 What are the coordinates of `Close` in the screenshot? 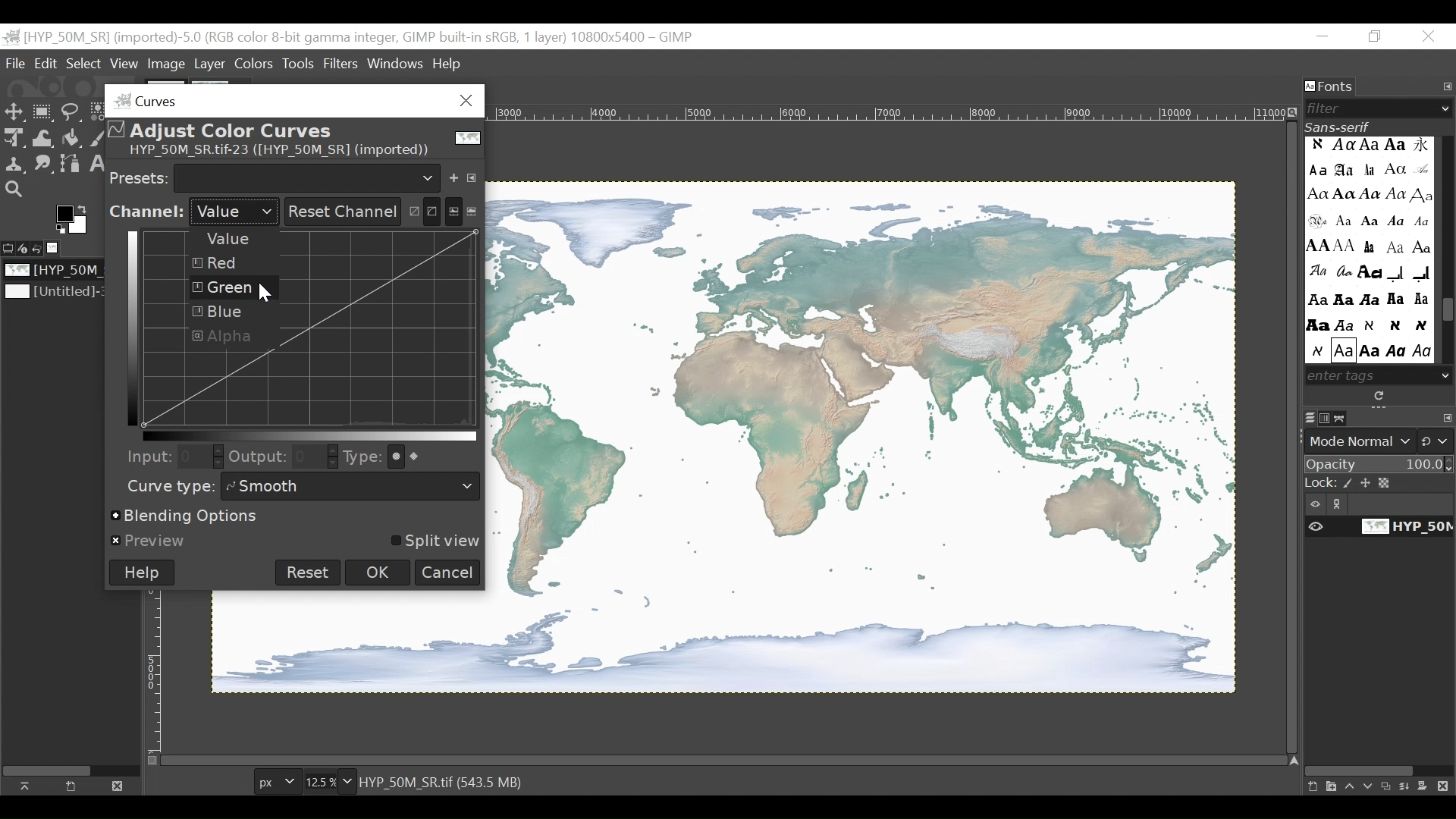 It's located at (1429, 37).